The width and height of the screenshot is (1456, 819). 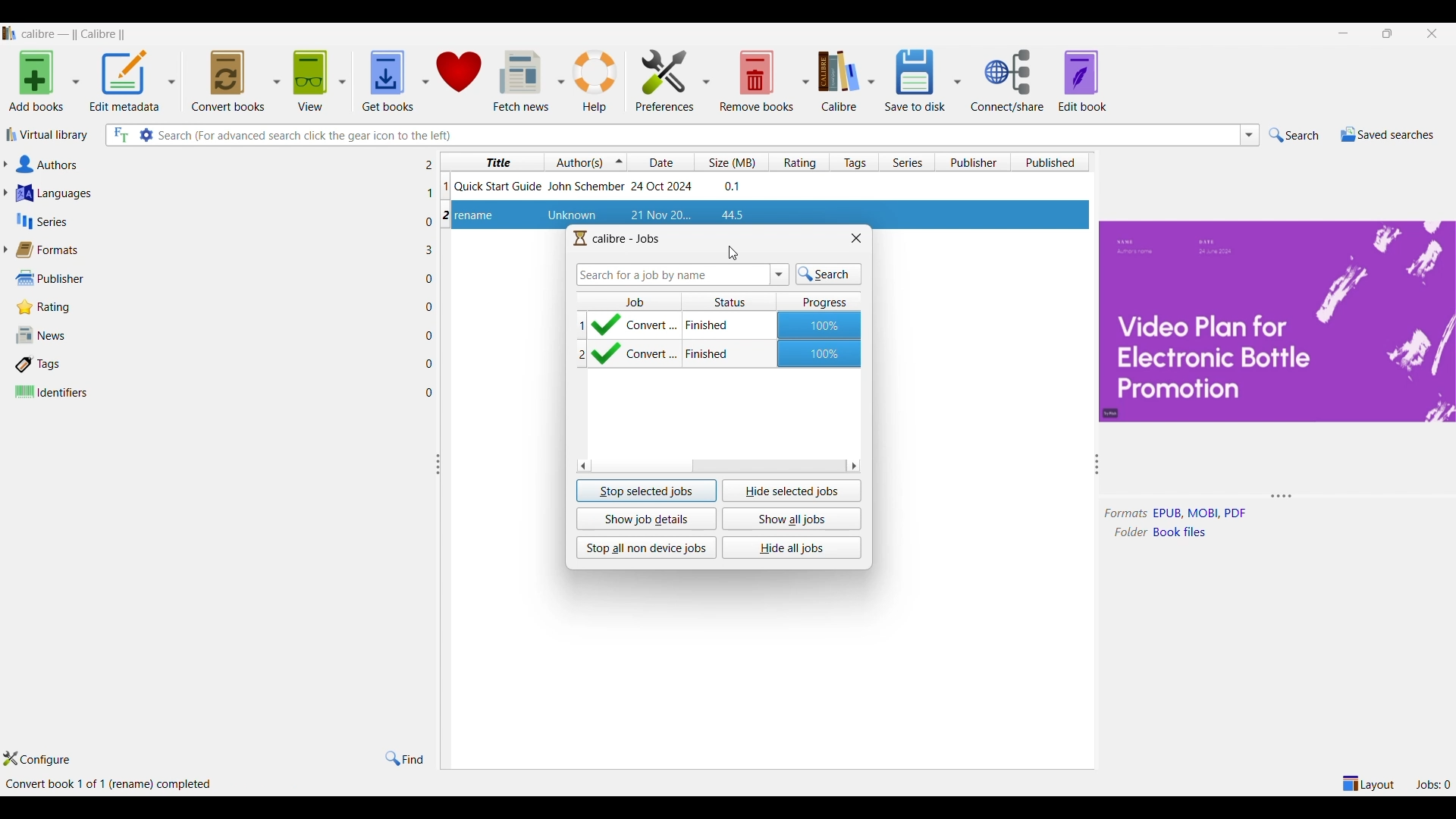 What do you see at coordinates (215, 278) in the screenshot?
I see `Publisher` at bounding box center [215, 278].